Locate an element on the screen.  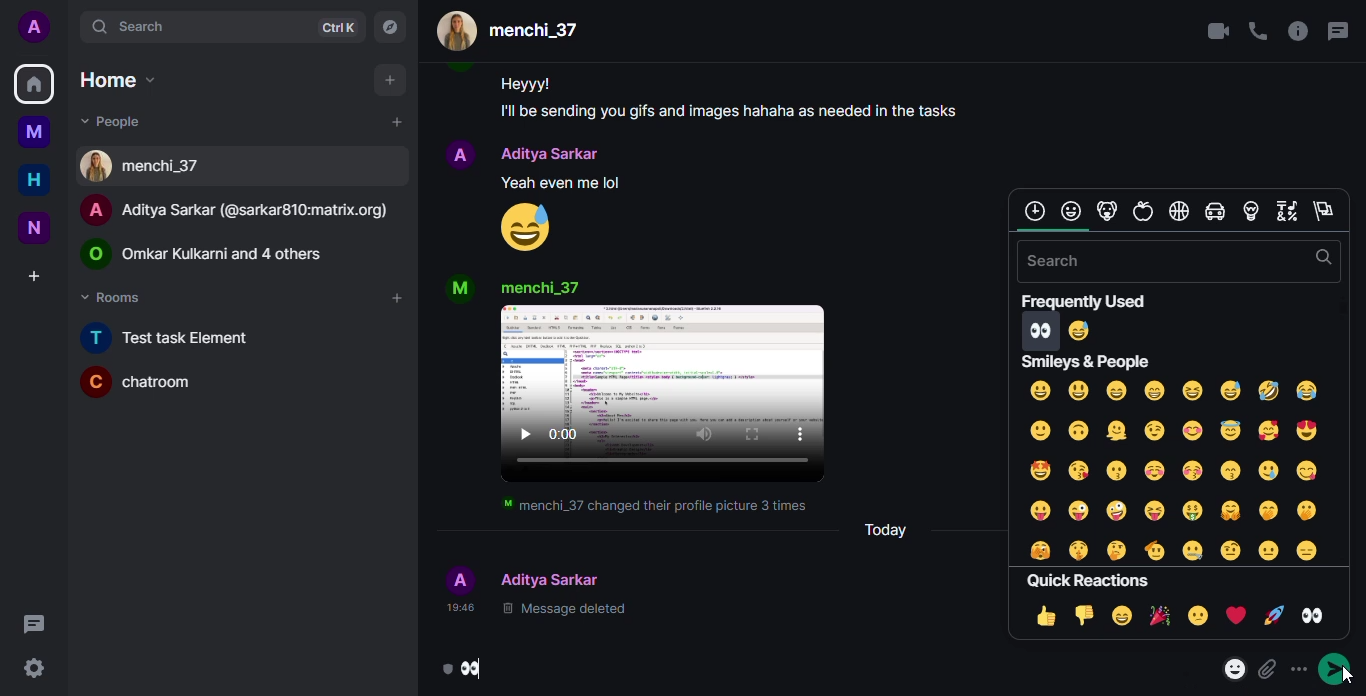
ctrlK is located at coordinates (334, 29).